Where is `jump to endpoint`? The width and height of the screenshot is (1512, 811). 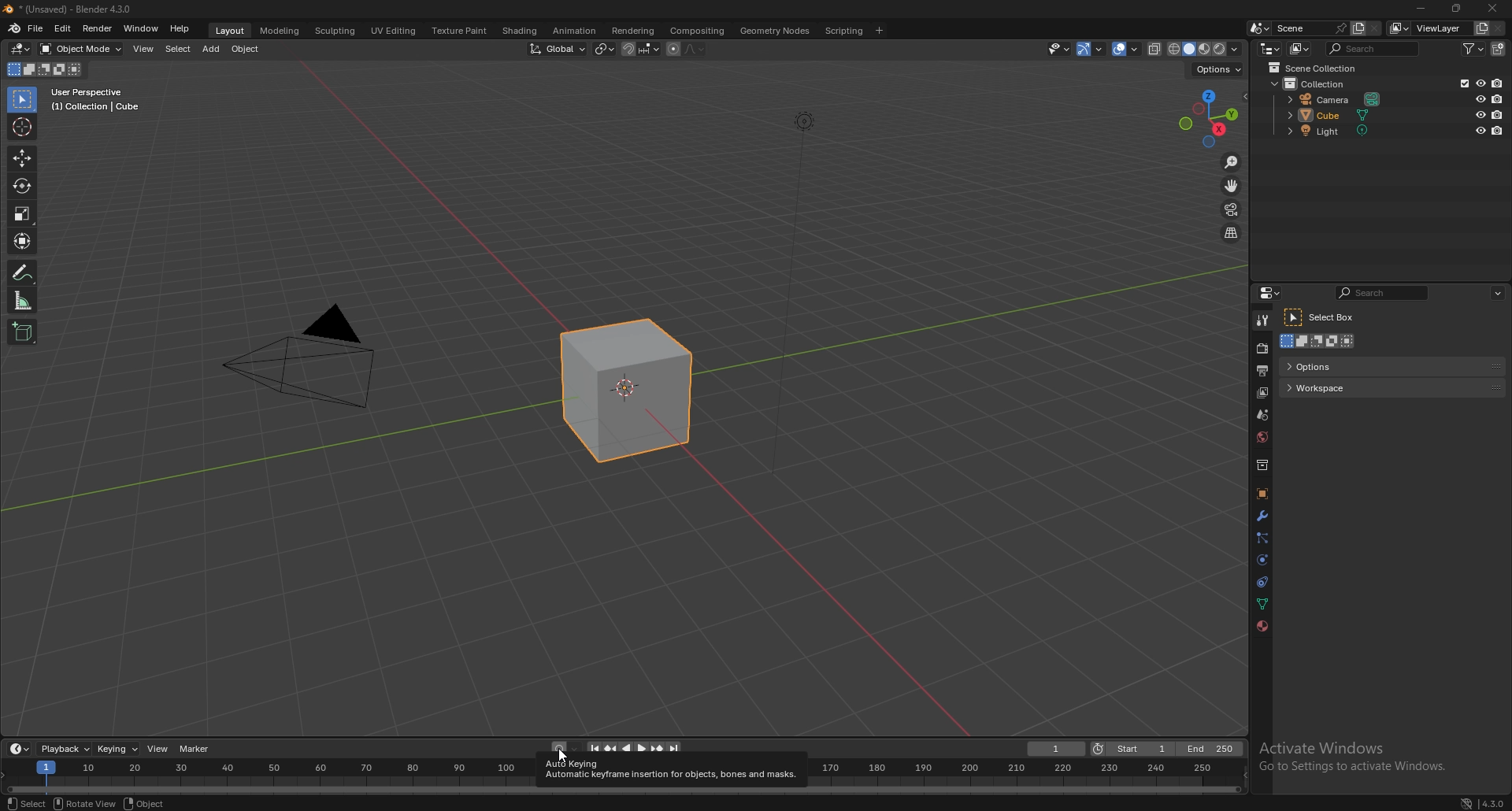 jump to endpoint is located at coordinates (592, 750).